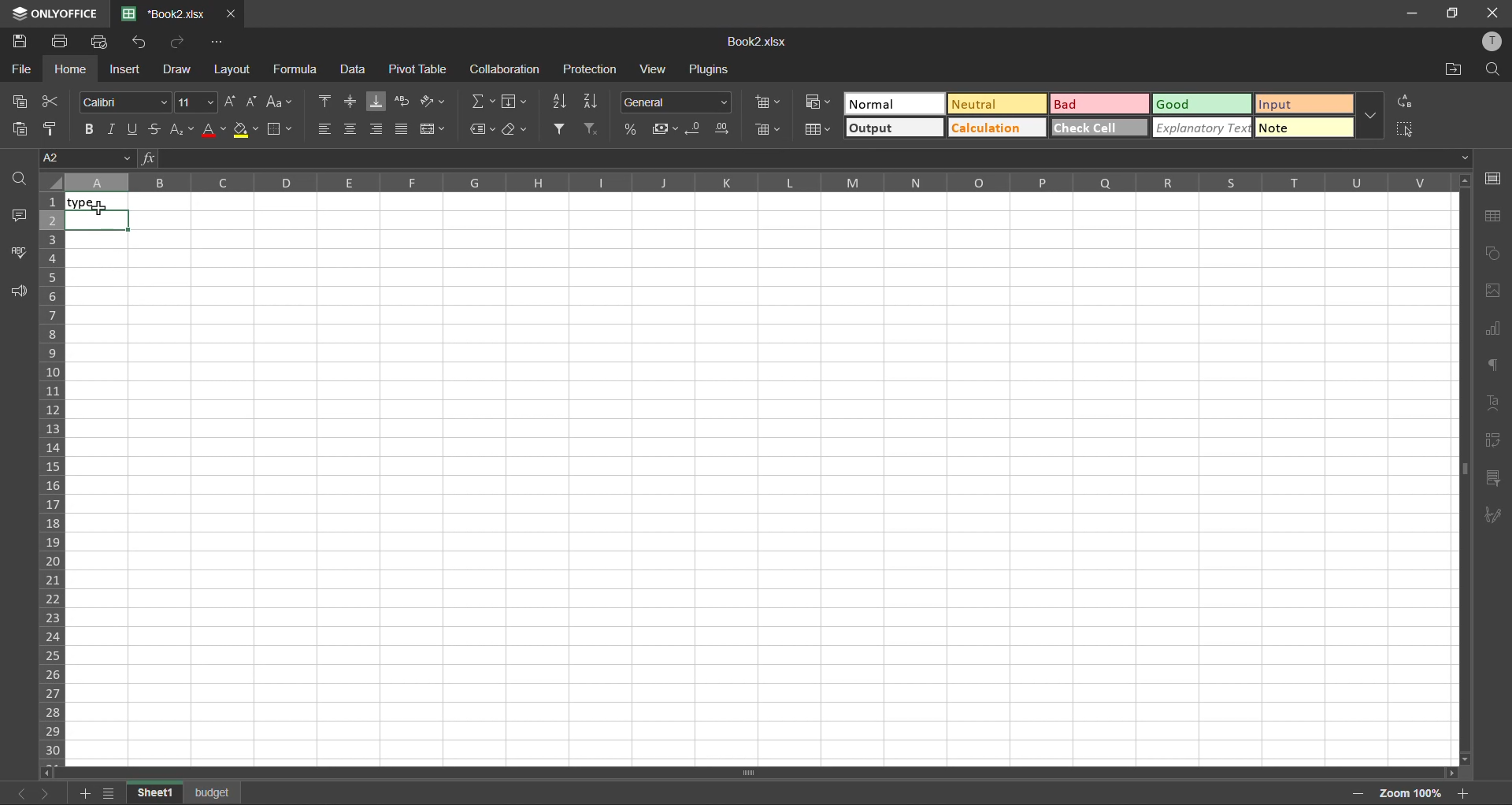 The height and width of the screenshot is (805, 1512). Describe the element at coordinates (996, 105) in the screenshot. I see `neutral` at that location.